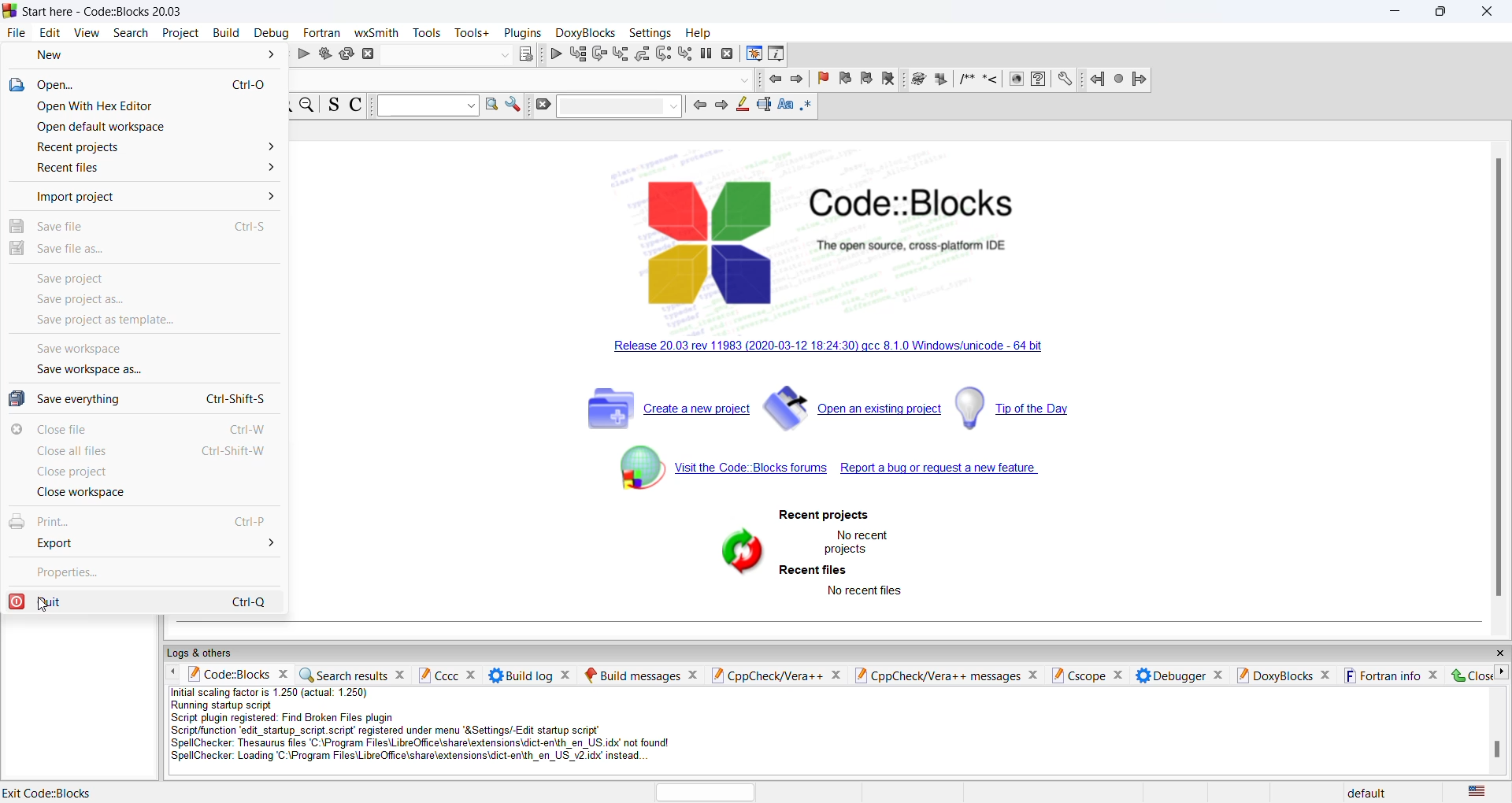 This screenshot has height=803, width=1512. I want to click on search, so click(133, 33).